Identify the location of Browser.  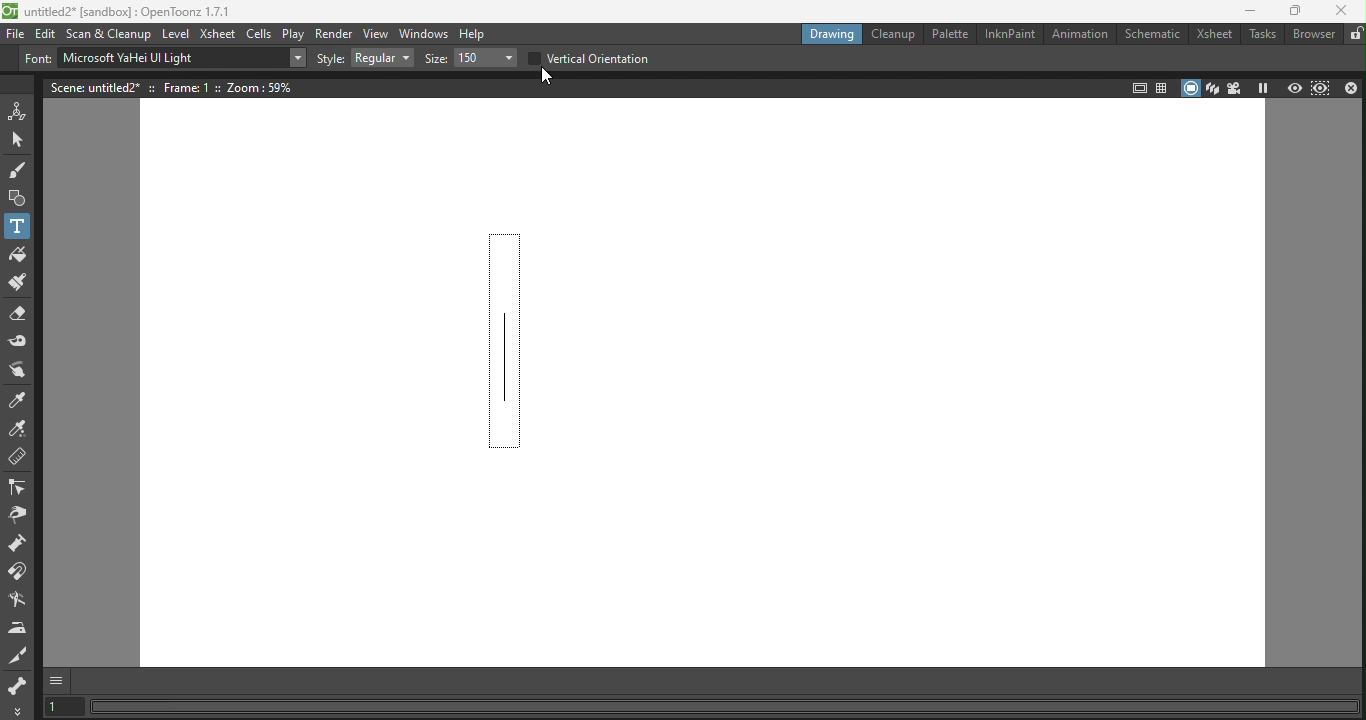
(1310, 35).